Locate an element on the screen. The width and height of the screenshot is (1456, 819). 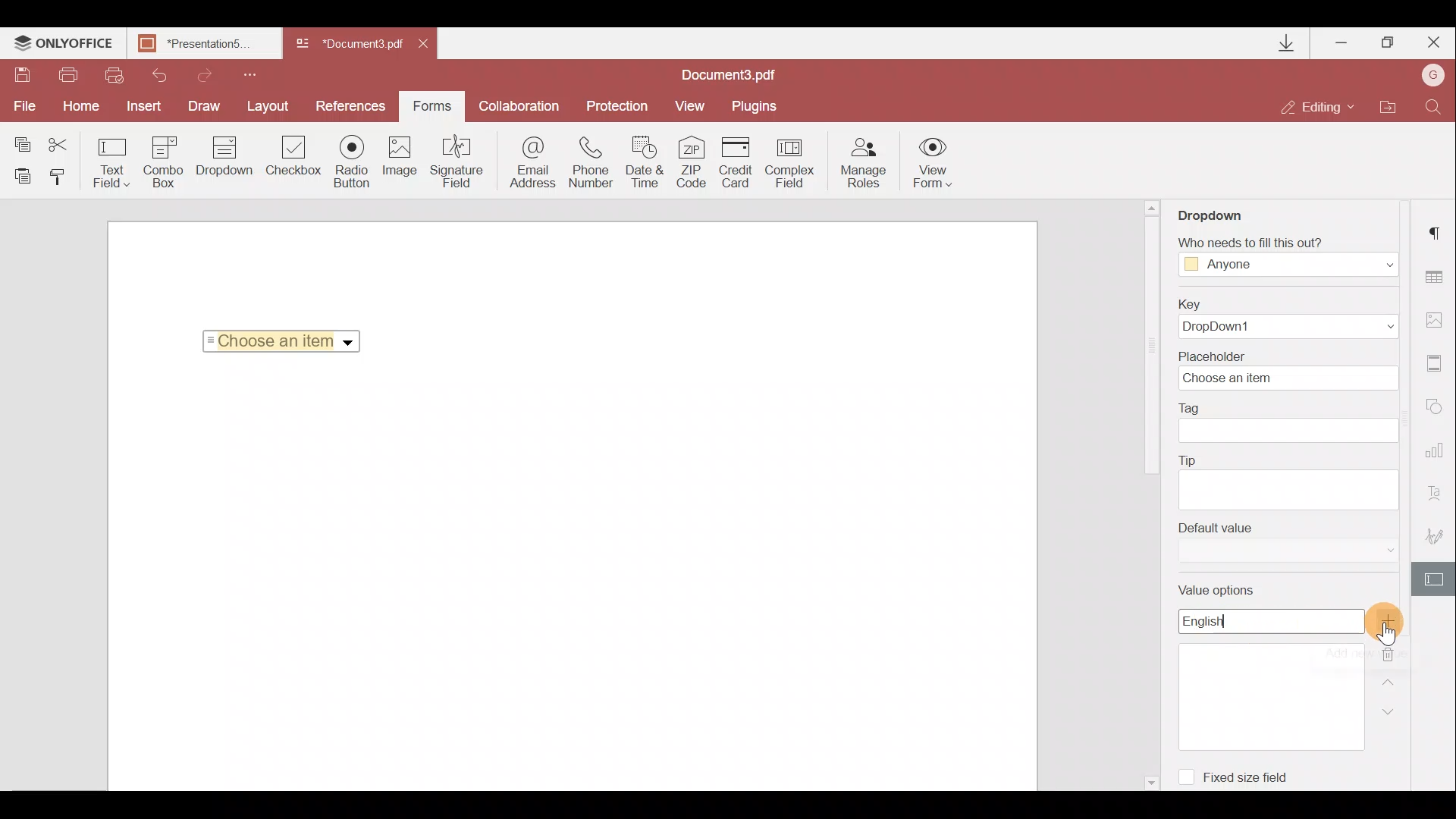
Dropdown is located at coordinates (1224, 210).